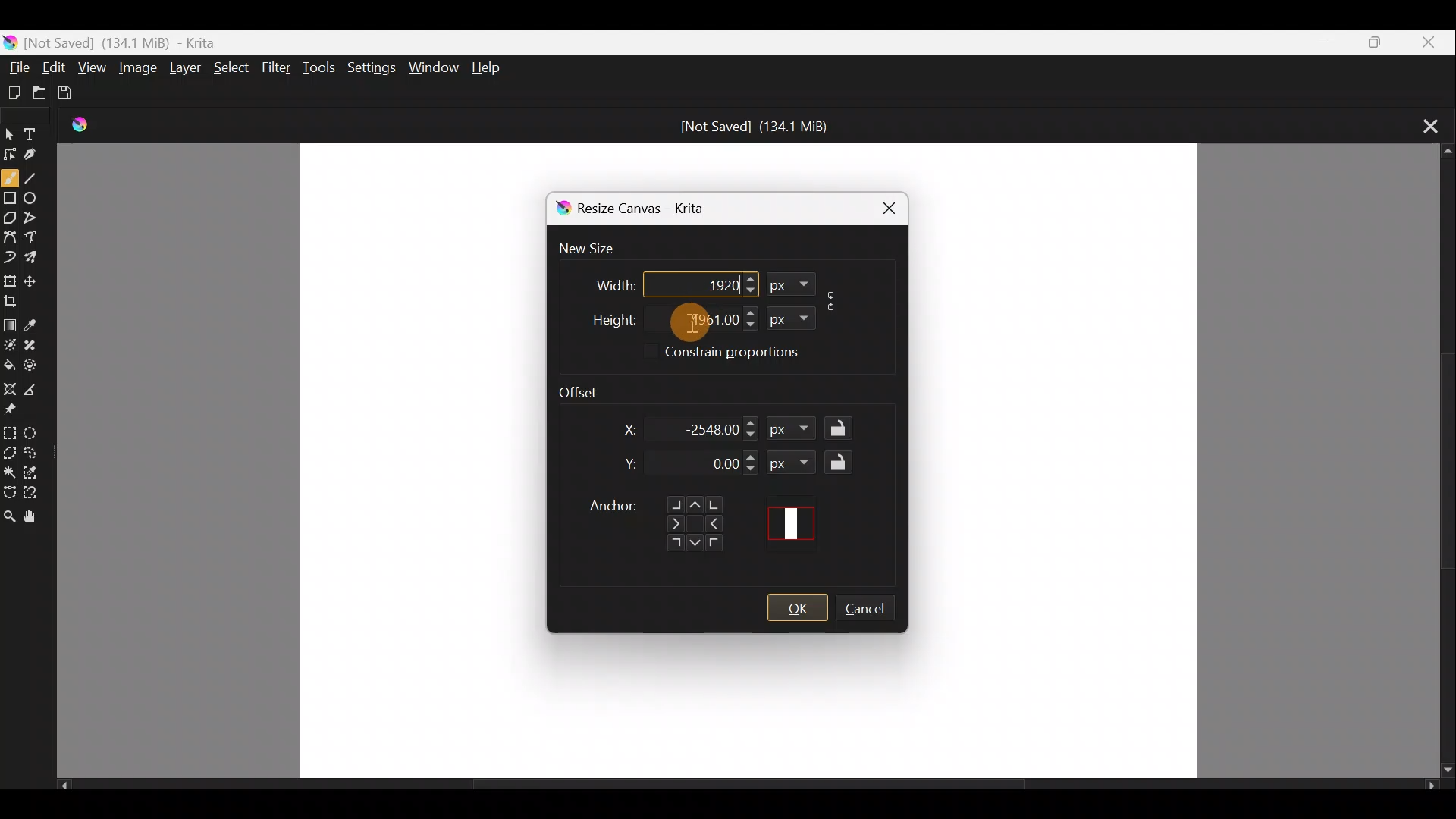 The height and width of the screenshot is (819, 1456). What do you see at coordinates (9, 517) in the screenshot?
I see `Zoom tool` at bounding box center [9, 517].